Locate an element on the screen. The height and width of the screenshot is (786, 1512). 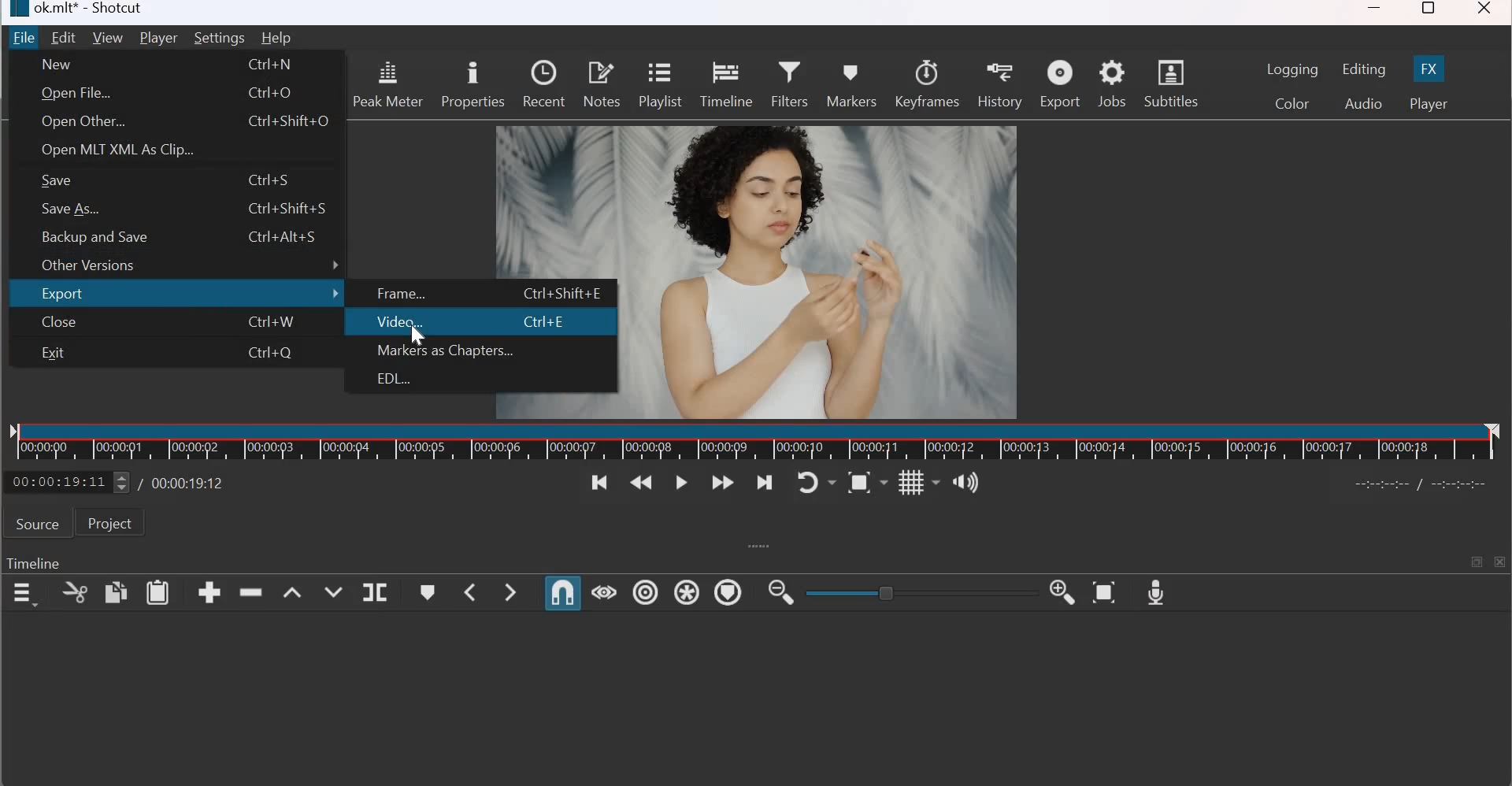
save is located at coordinates (56, 180).